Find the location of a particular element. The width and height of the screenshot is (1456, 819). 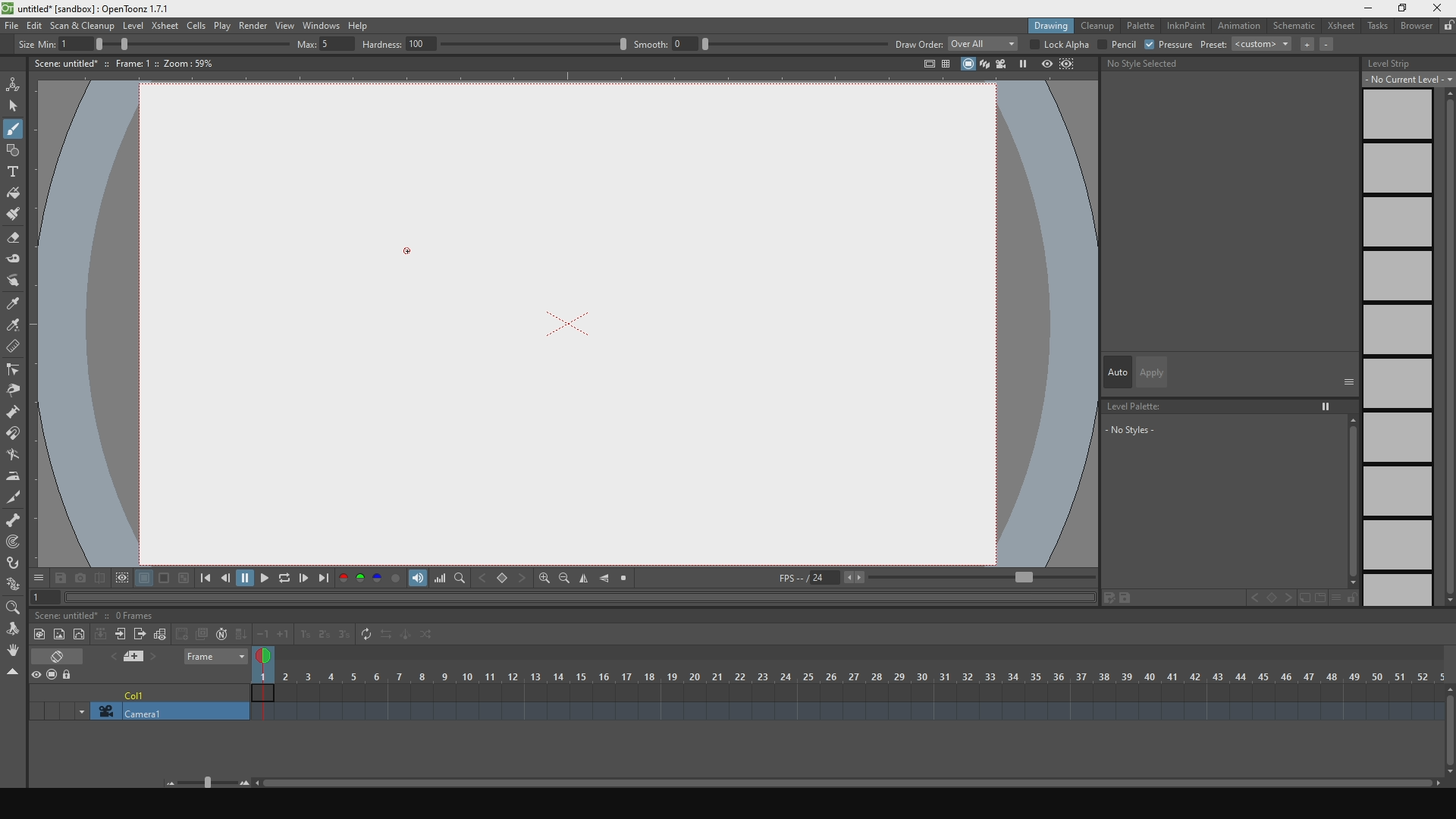

align vertically is located at coordinates (586, 578).